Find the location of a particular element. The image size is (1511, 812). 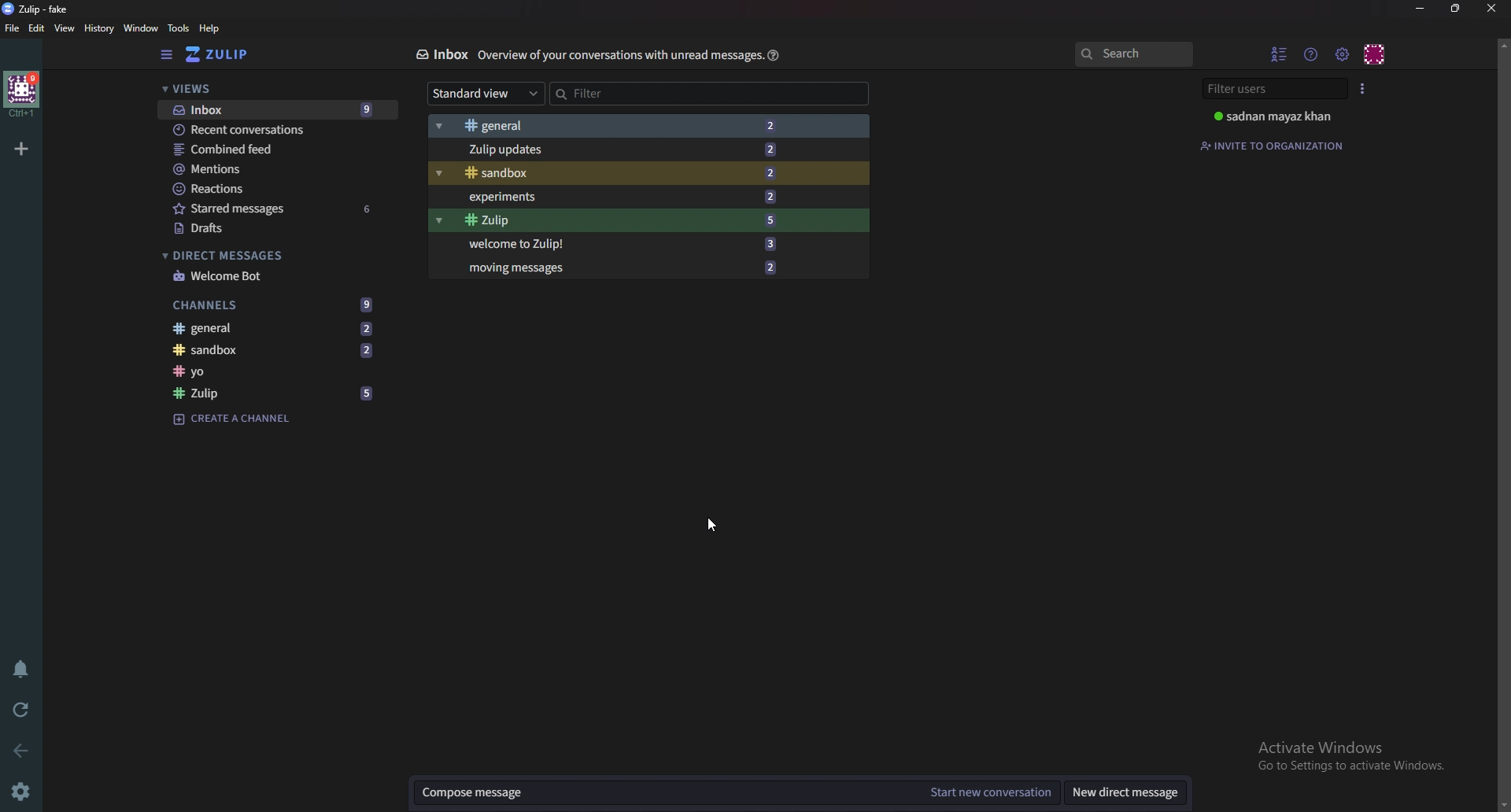

Zulip updates is located at coordinates (615, 151).